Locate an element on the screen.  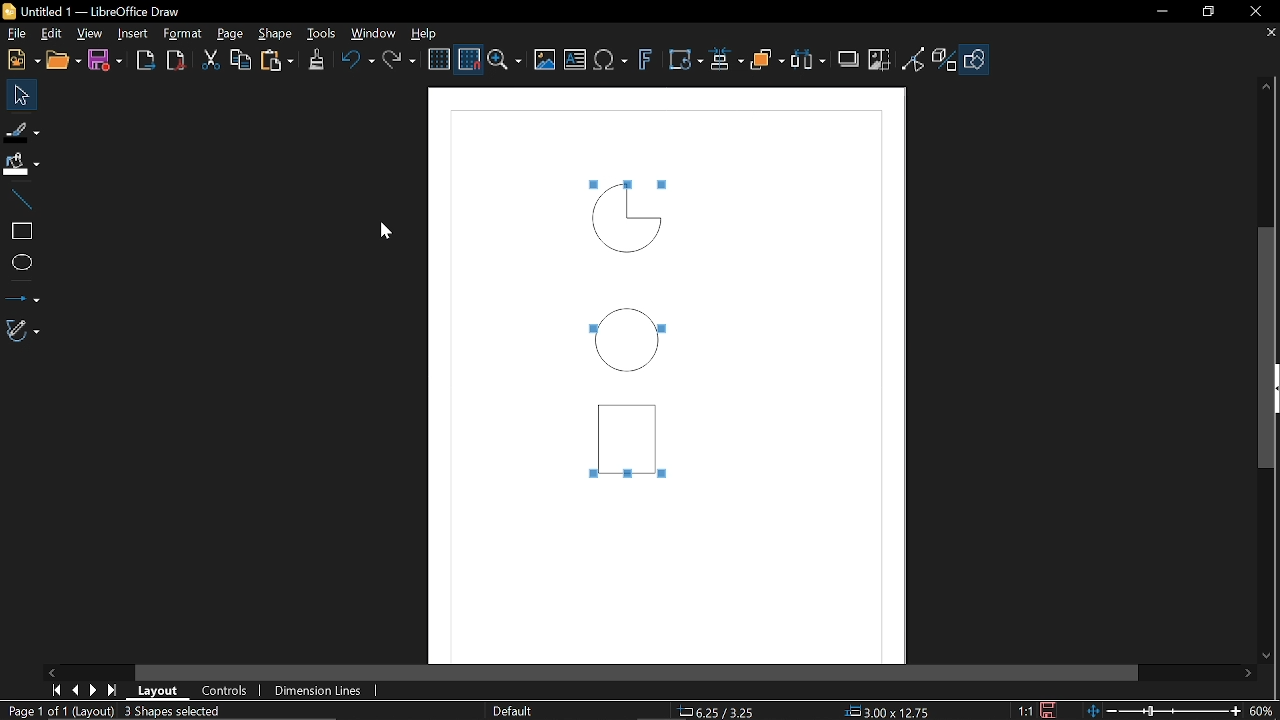
Move down is located at coordinates (1266, 658).